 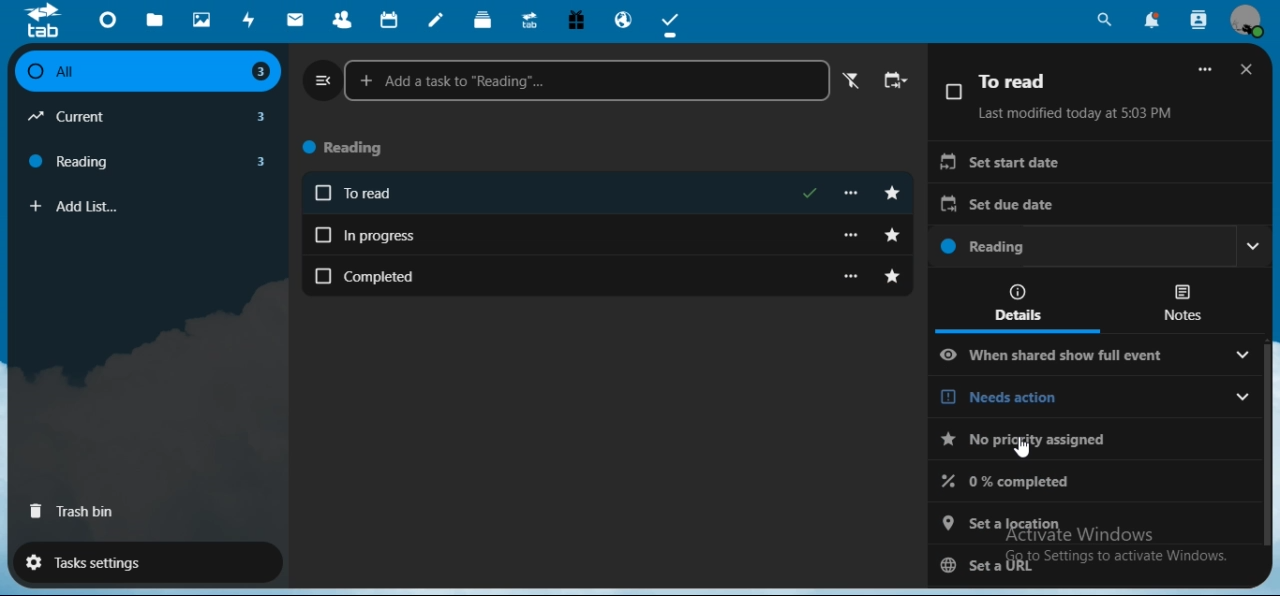 I want to click on Checkbox, so click(x=323, y=276).